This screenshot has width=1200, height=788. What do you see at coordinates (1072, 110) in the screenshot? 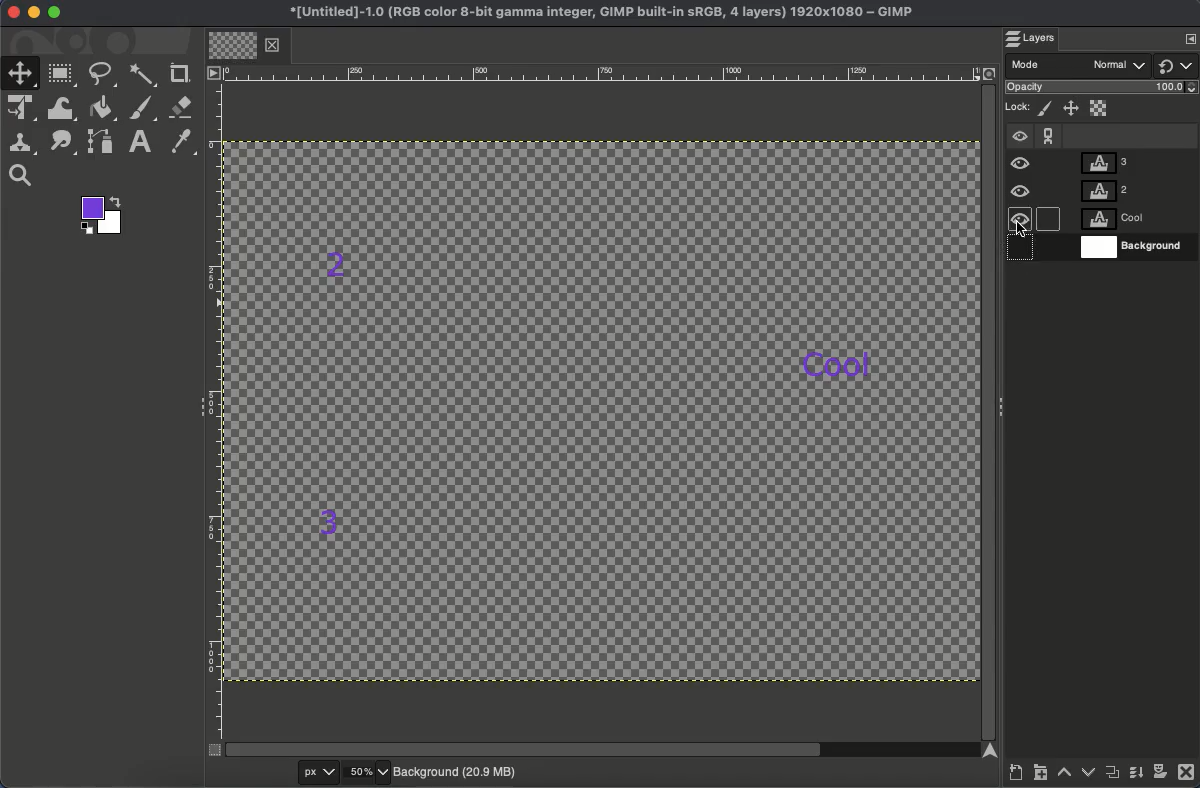
I see `Position and size` at bounding box center [1072, 110].